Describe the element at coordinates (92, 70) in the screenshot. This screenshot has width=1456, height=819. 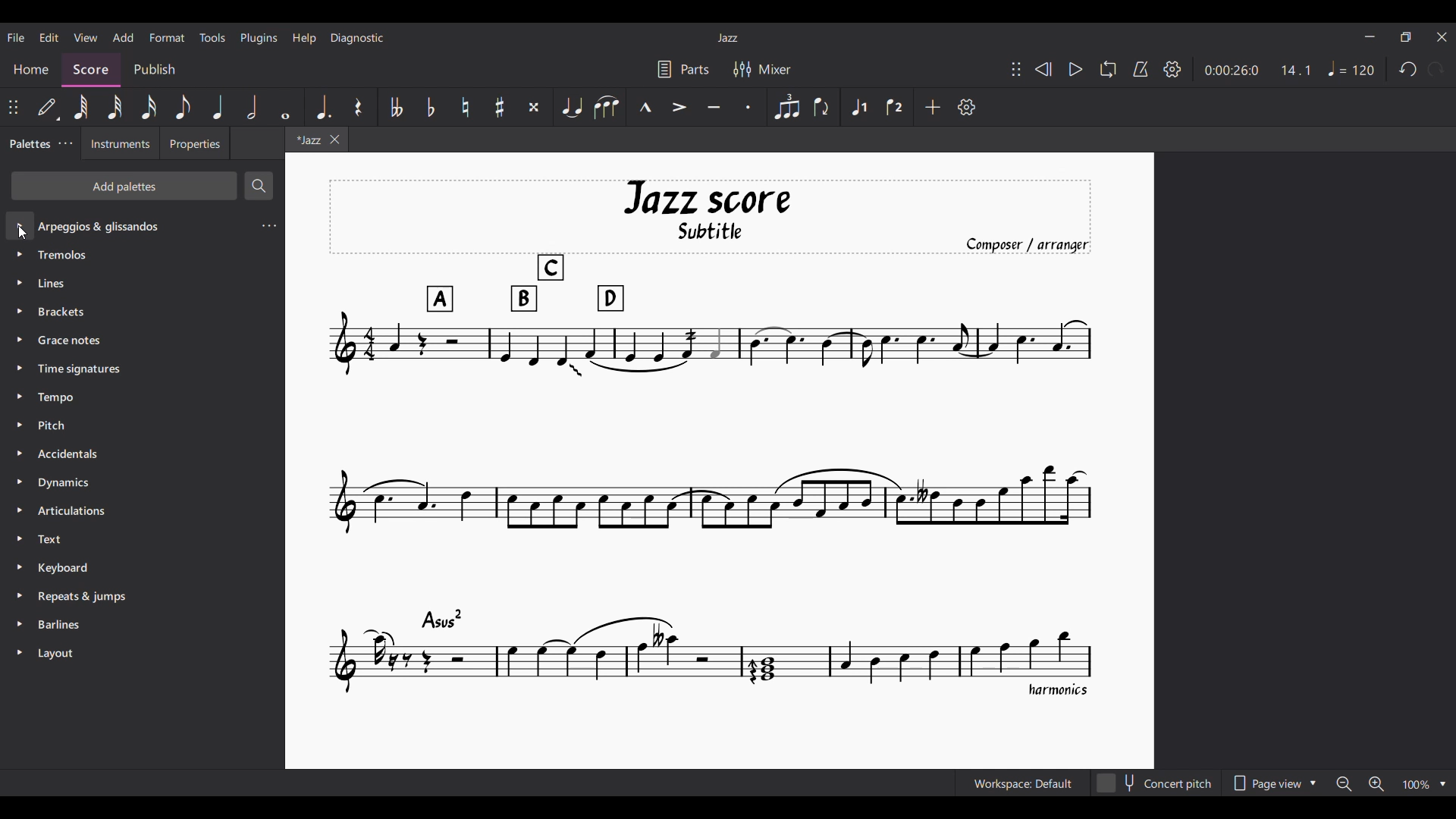
I see `Score, current section highlighted` at that location.